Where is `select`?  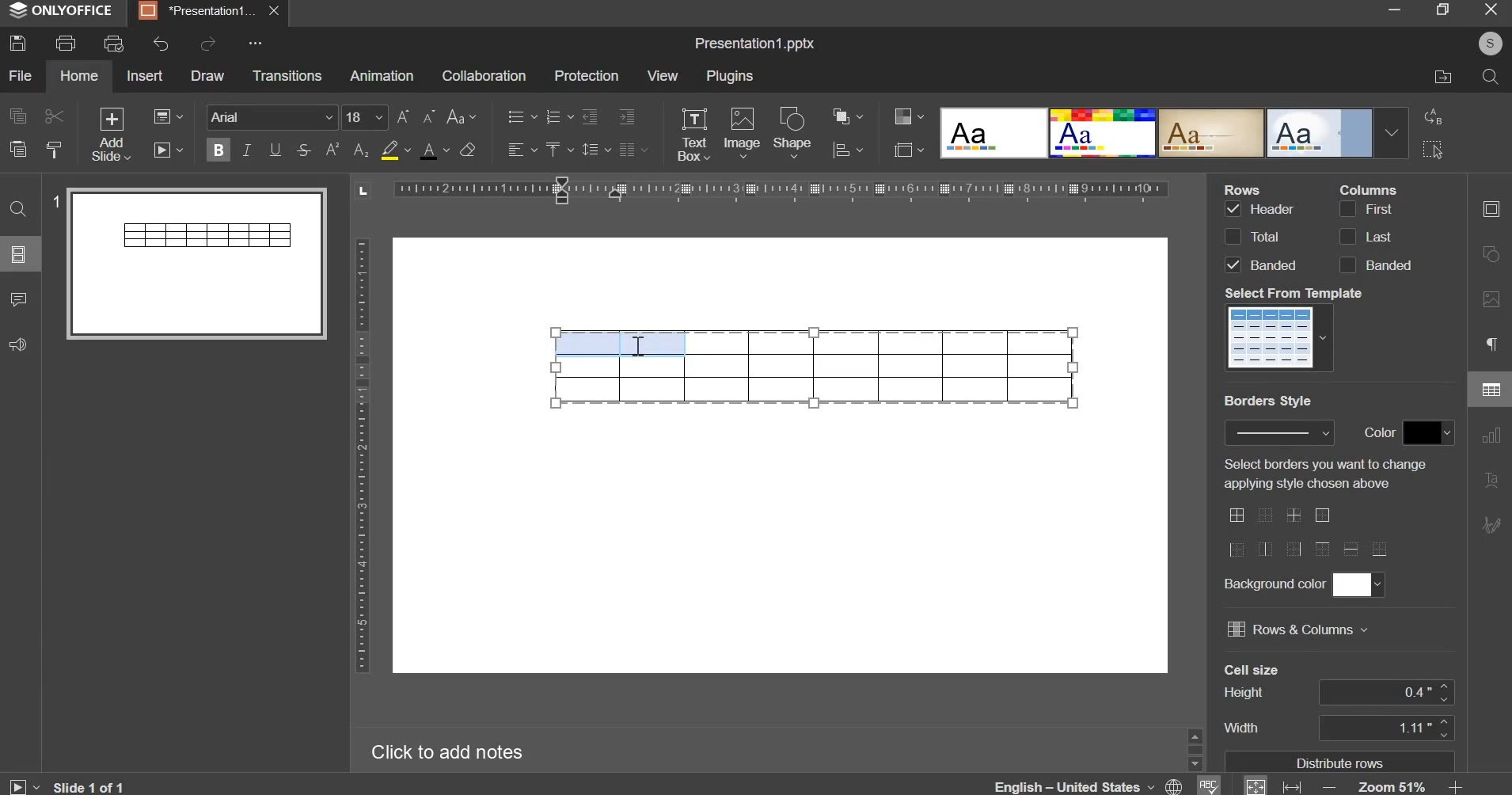 select is located at coordinates (1433, 151).